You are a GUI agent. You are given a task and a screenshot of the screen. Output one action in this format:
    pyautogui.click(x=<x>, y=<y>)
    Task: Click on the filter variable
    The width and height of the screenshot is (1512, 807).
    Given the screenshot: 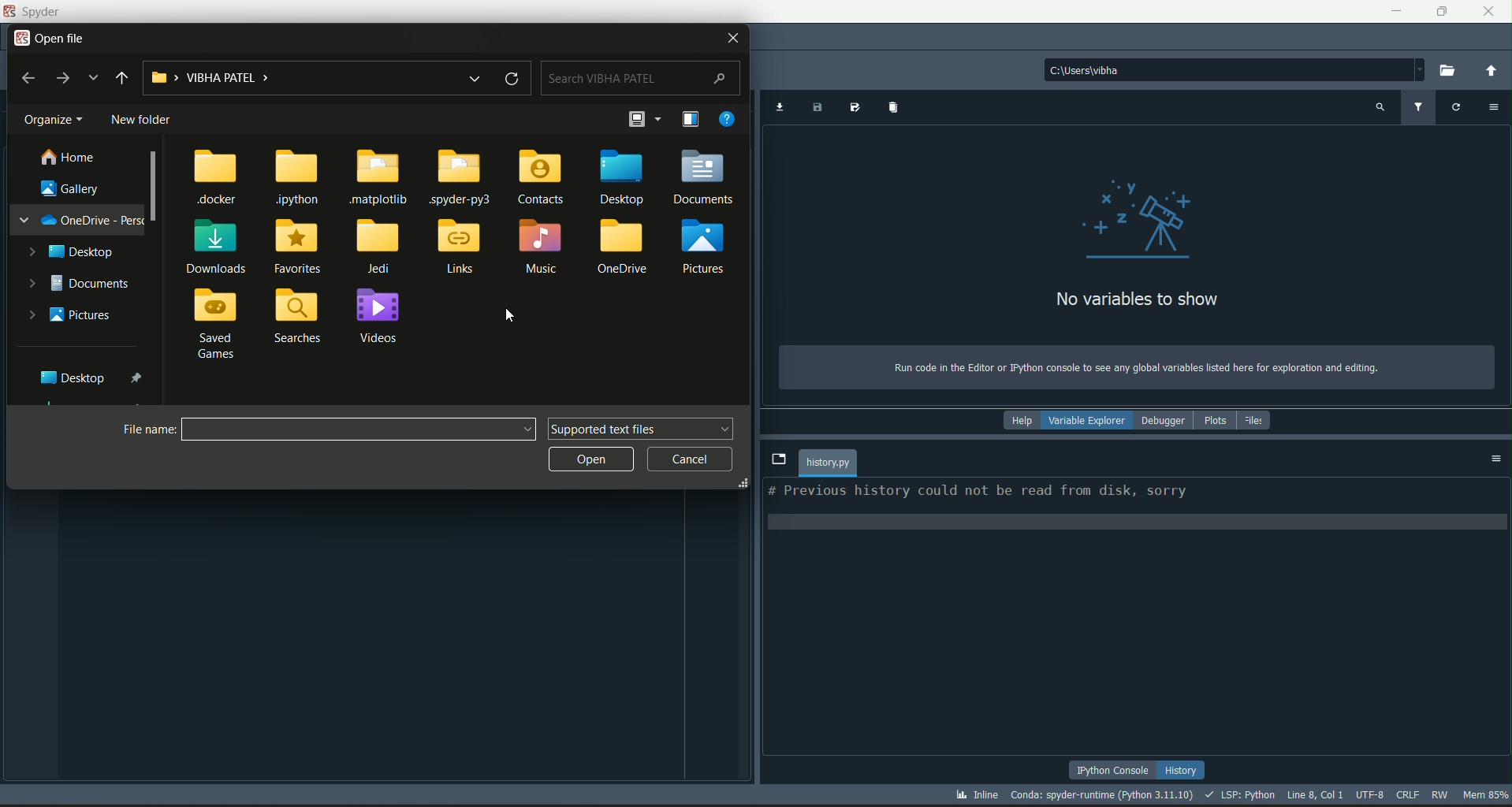 What is the action you would take?
    pyautogui.click(x=1419, y=107)
    